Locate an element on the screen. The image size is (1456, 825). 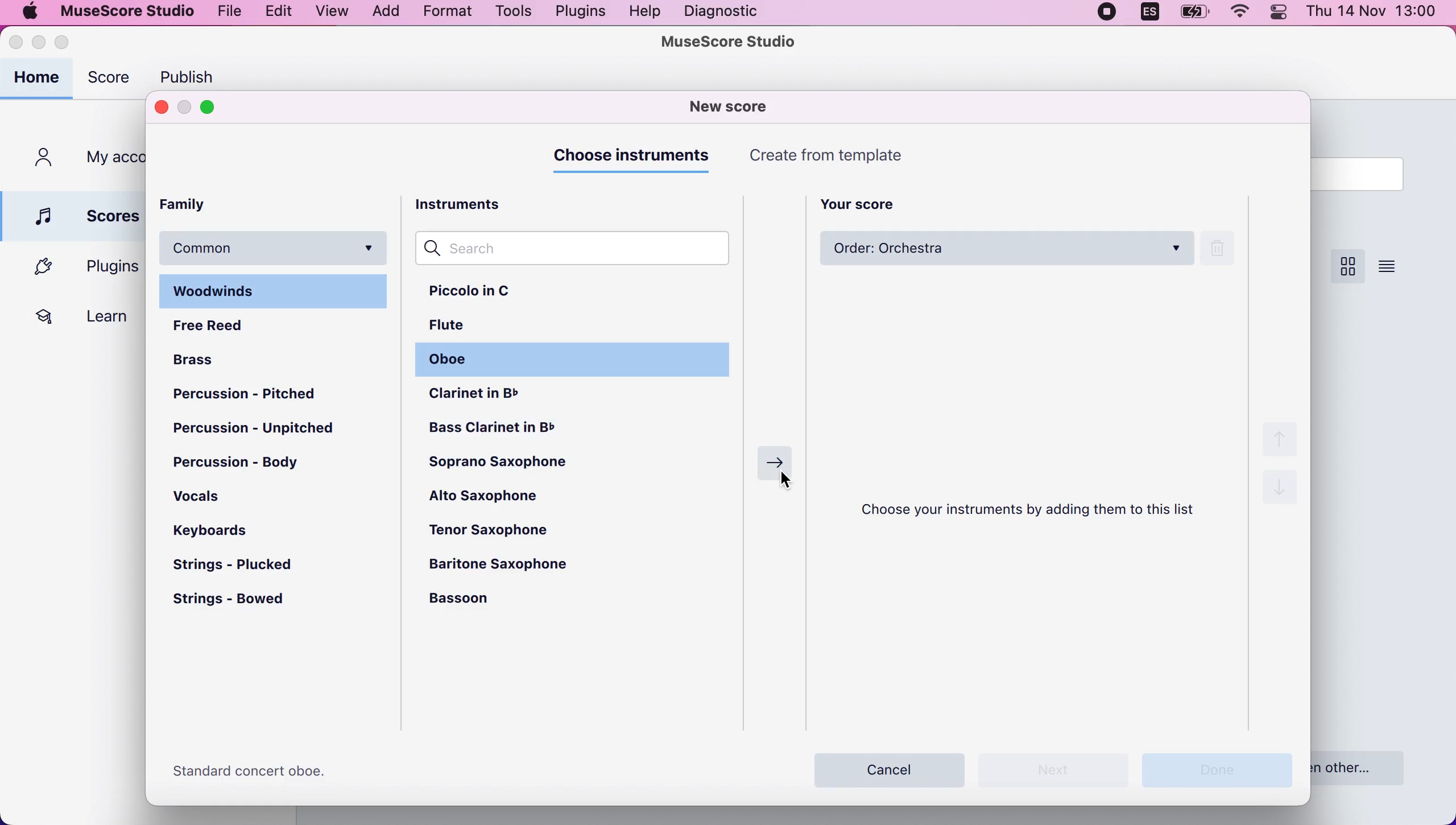
up  is located at coordinates (1278, 435).